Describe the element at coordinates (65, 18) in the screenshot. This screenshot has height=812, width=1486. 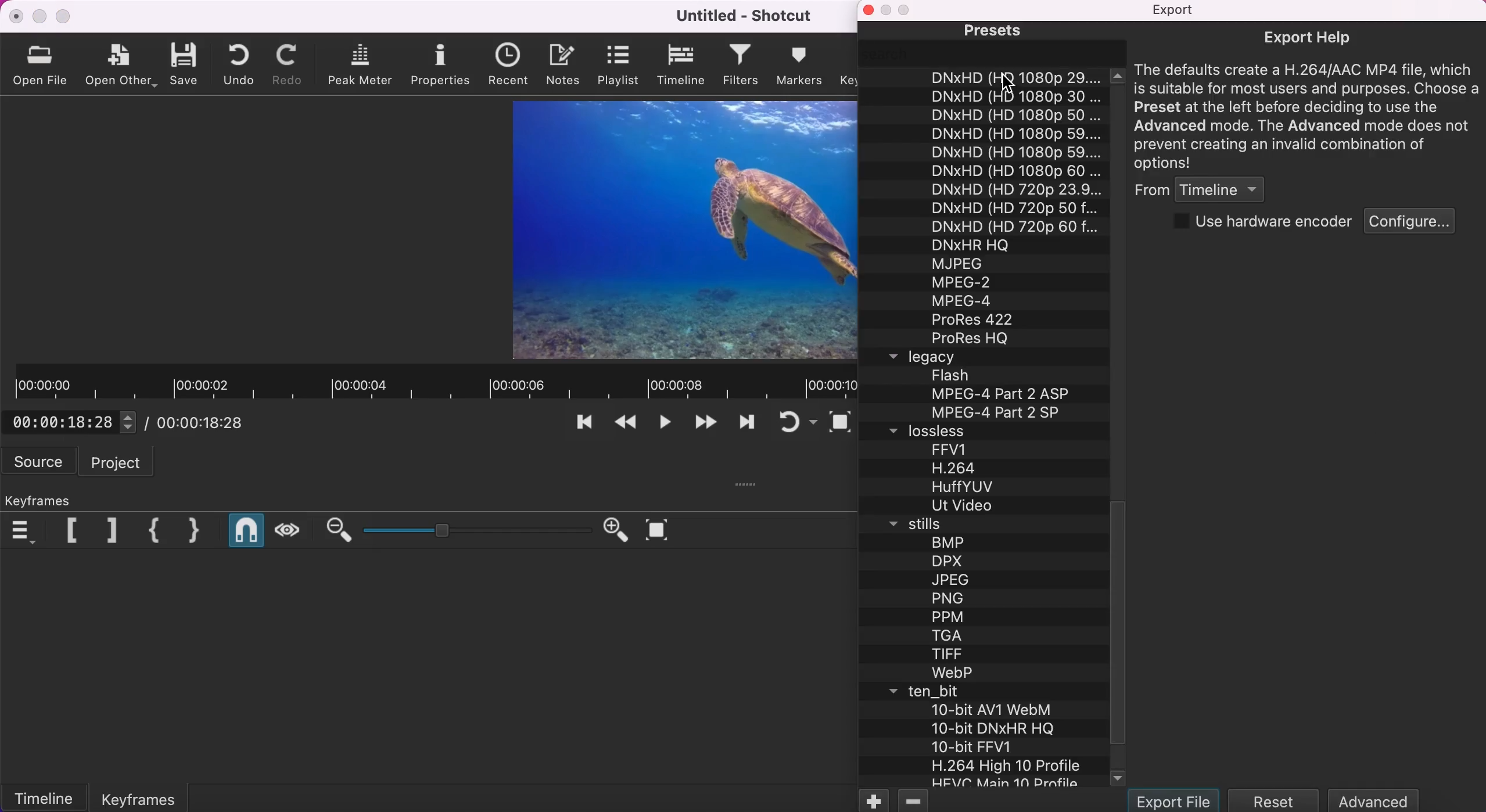
I see `maximize Shotcut` at that location.